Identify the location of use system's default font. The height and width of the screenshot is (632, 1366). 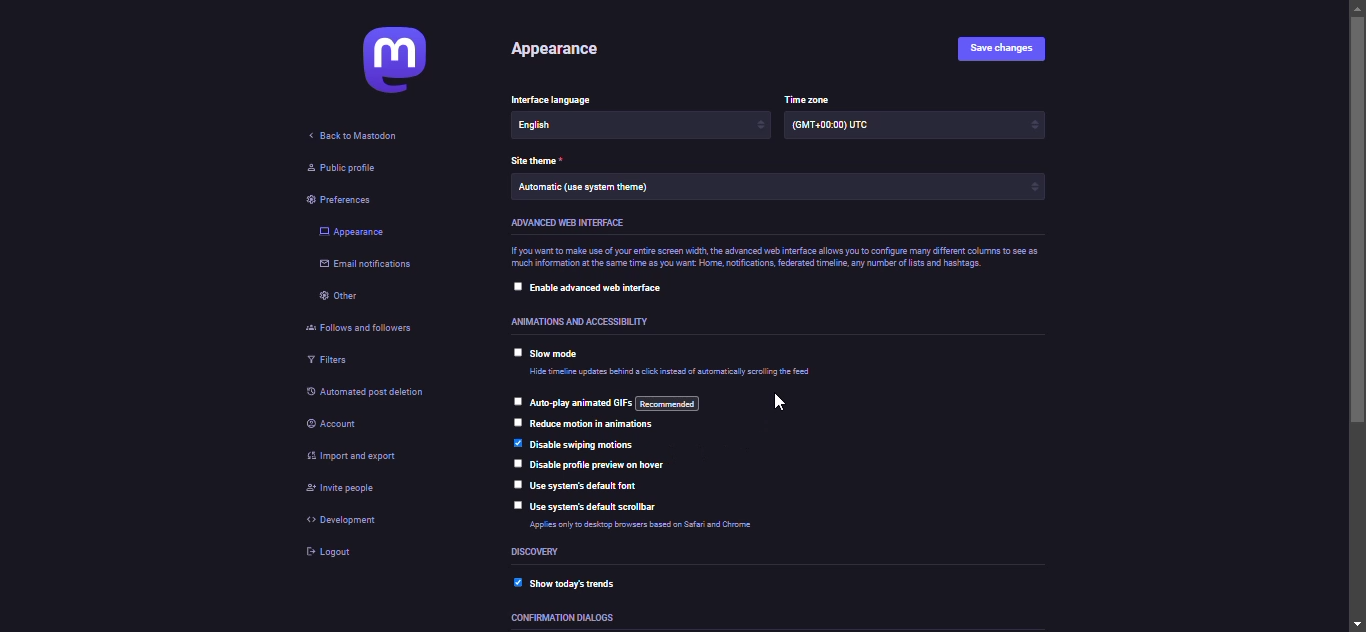
(589, 486).